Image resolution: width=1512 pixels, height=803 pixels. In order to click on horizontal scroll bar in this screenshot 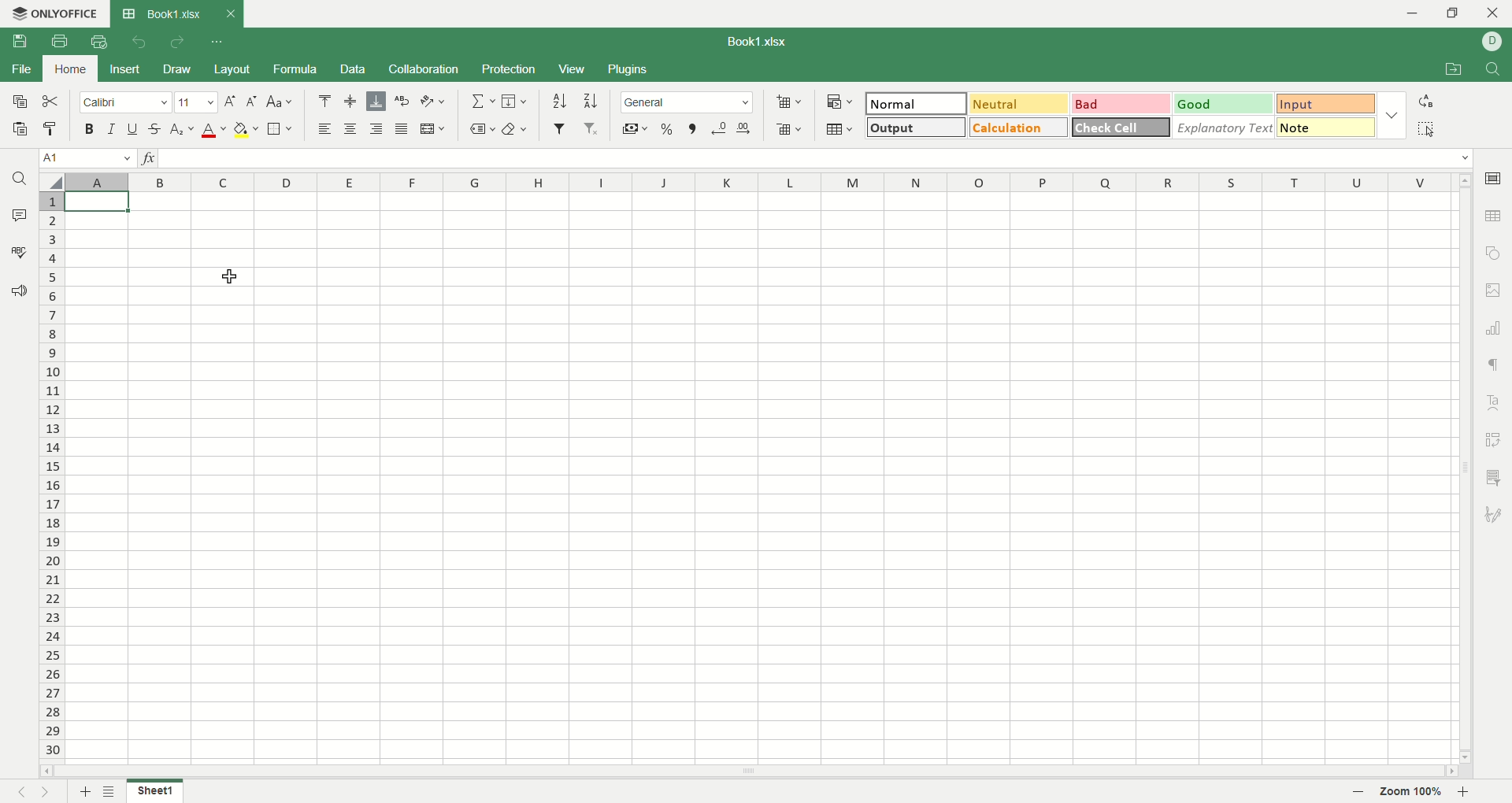, I will do `click(748, 769)`.